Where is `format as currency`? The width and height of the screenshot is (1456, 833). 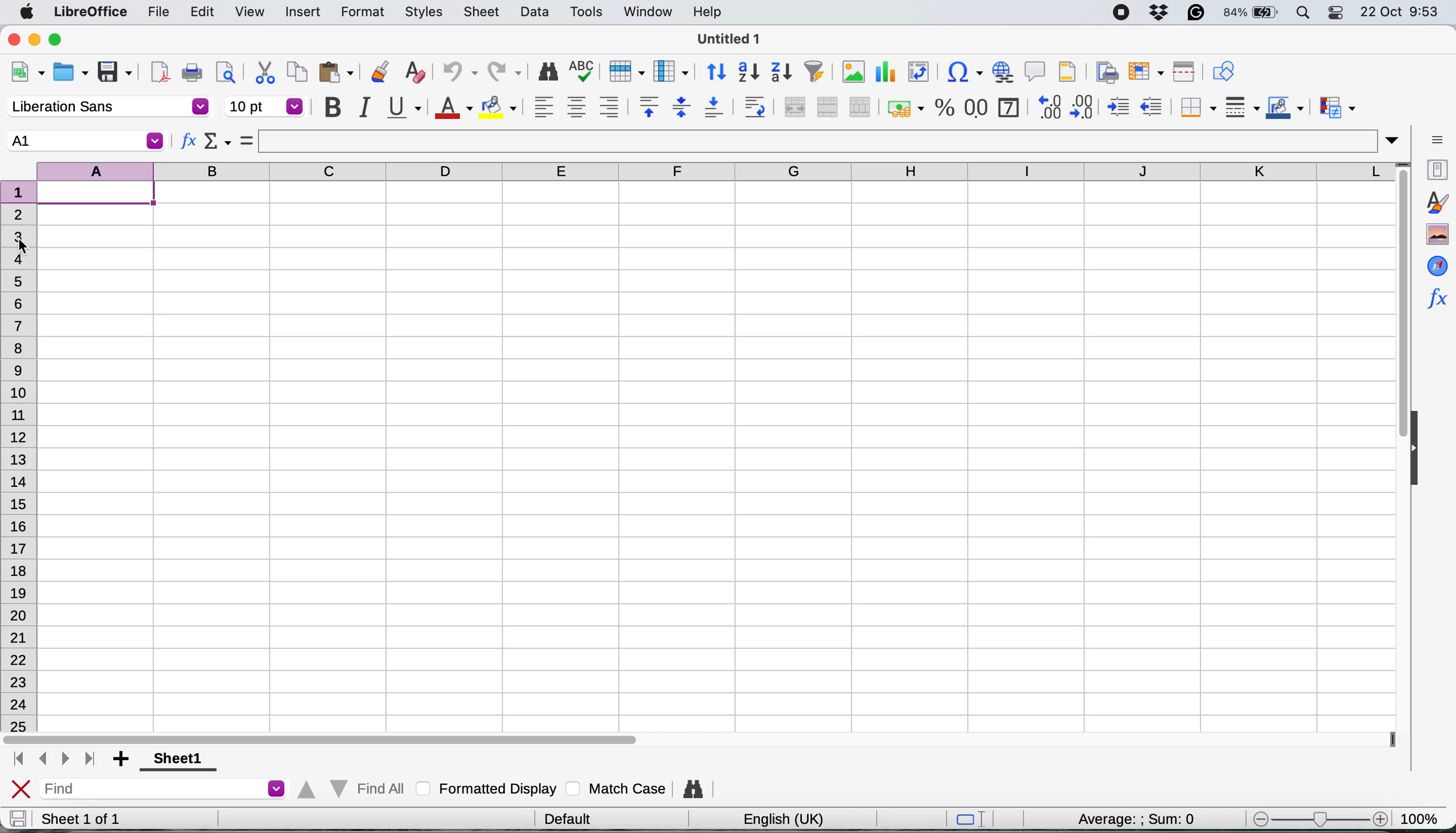
format as currency is located at coordinates (904, 108).